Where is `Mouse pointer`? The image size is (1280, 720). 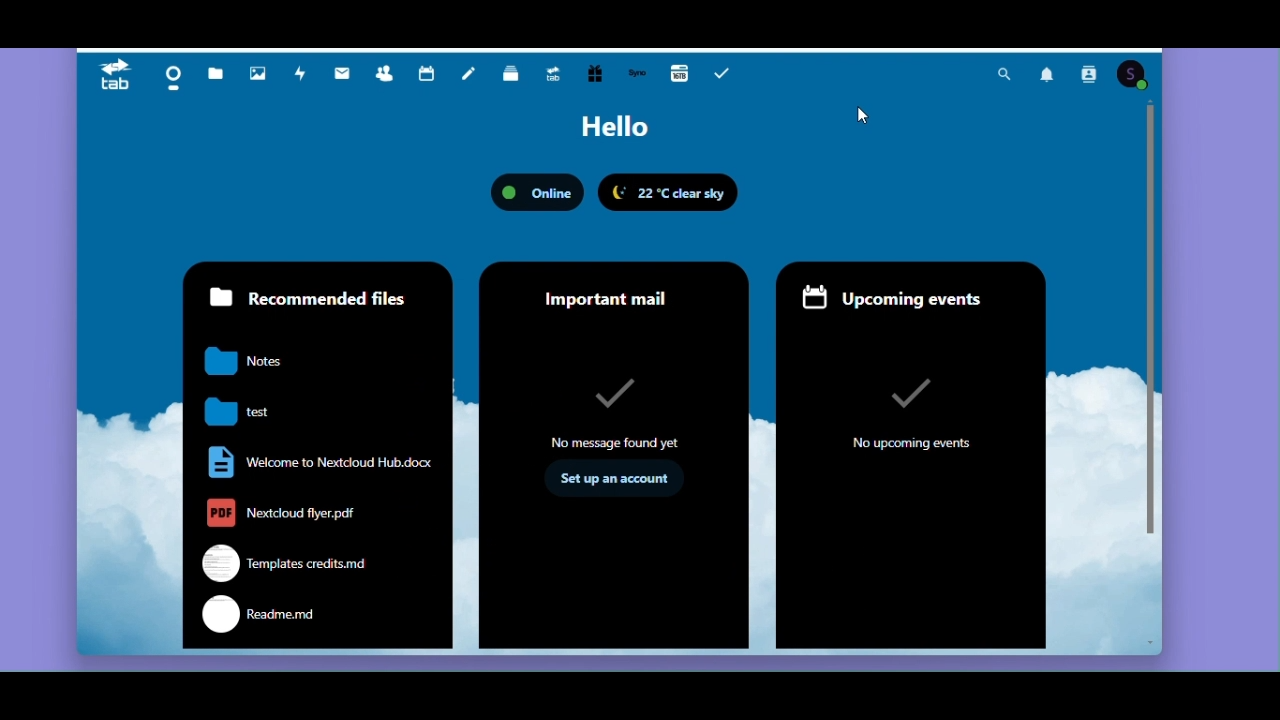
Mouse pointer is located at coordinates (860, 117).